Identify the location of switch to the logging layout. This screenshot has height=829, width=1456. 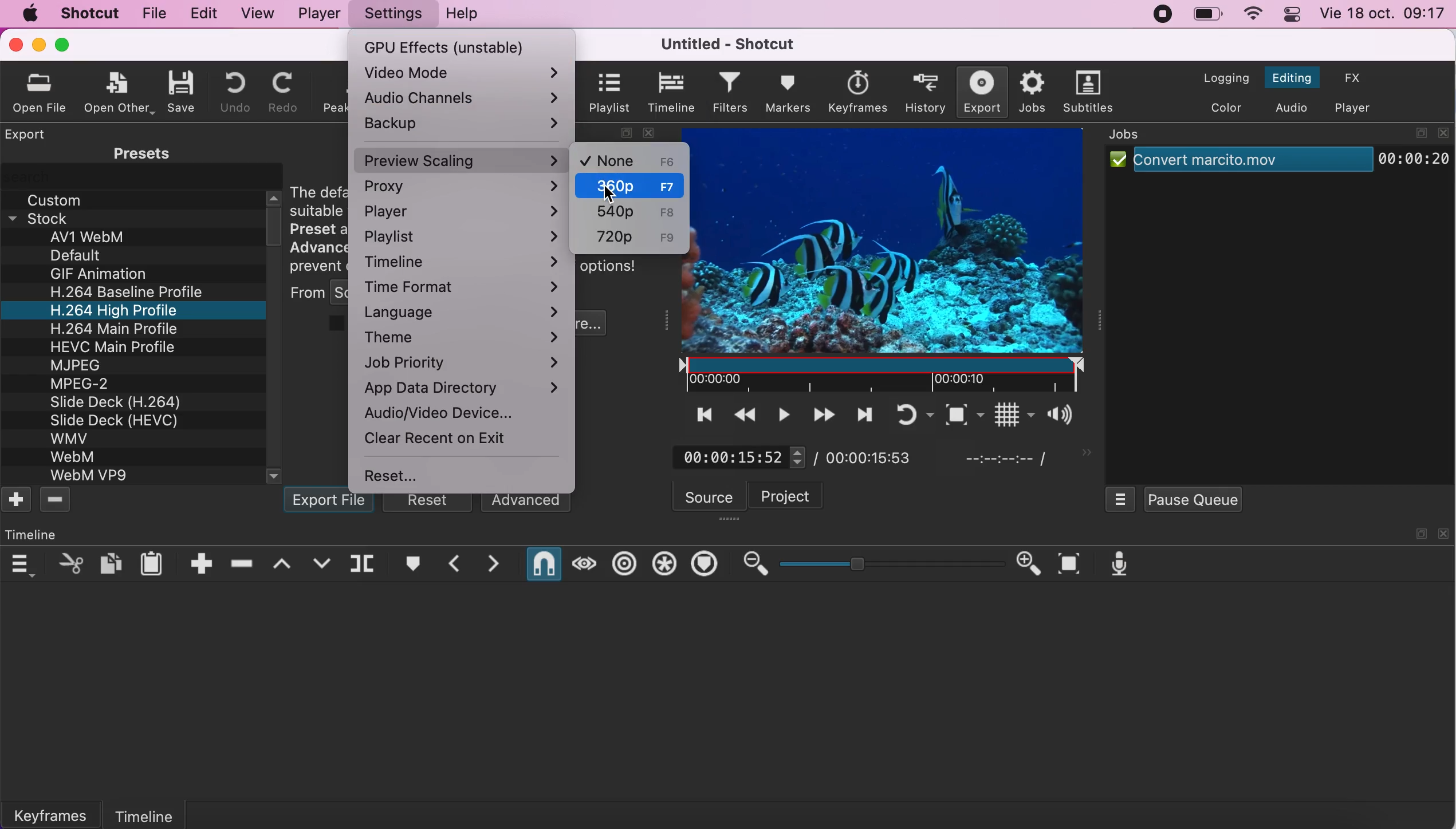
(1219, 78).